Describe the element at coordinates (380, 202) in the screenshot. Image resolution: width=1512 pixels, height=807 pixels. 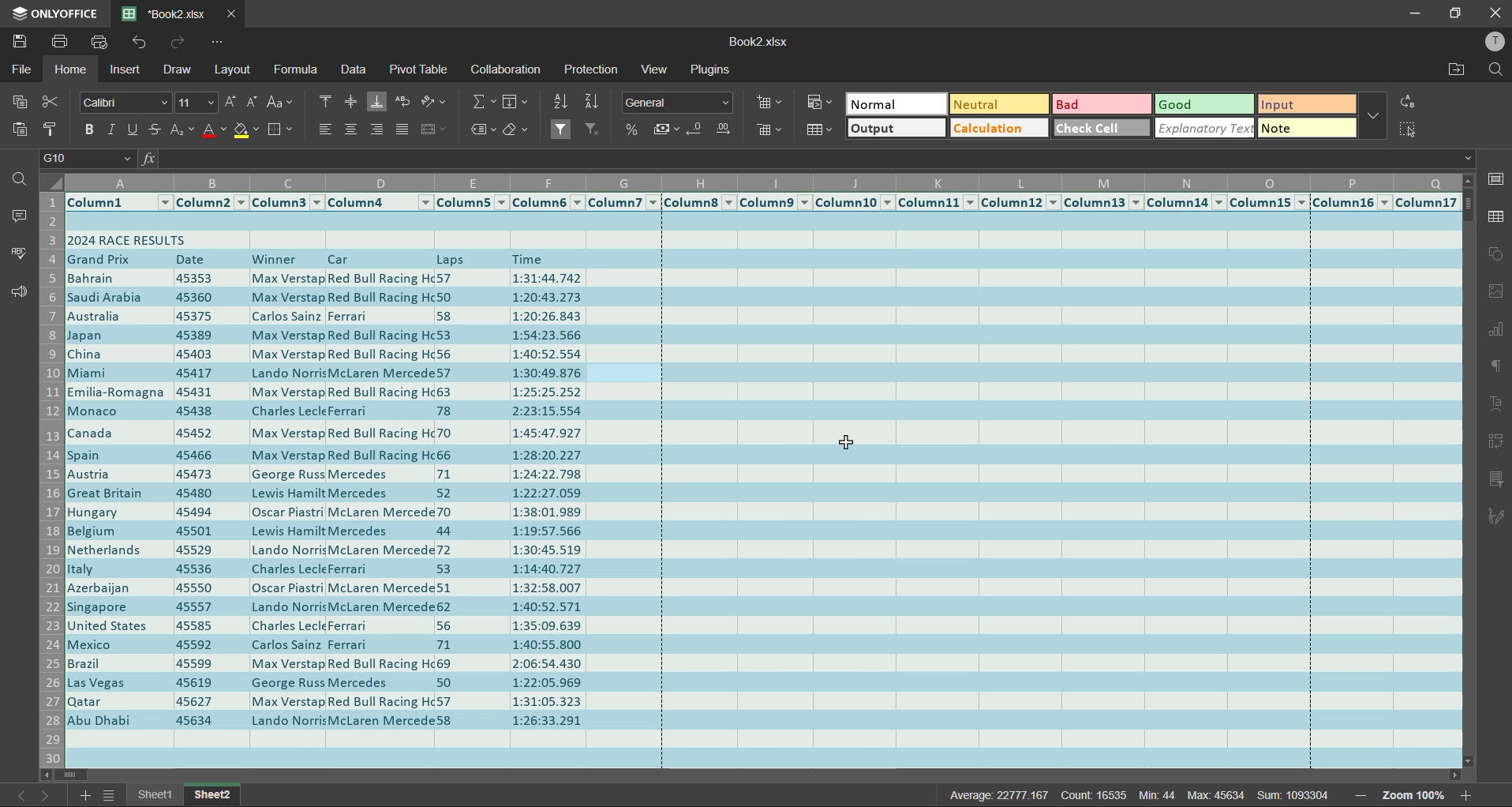
I see `Column ` at that location.